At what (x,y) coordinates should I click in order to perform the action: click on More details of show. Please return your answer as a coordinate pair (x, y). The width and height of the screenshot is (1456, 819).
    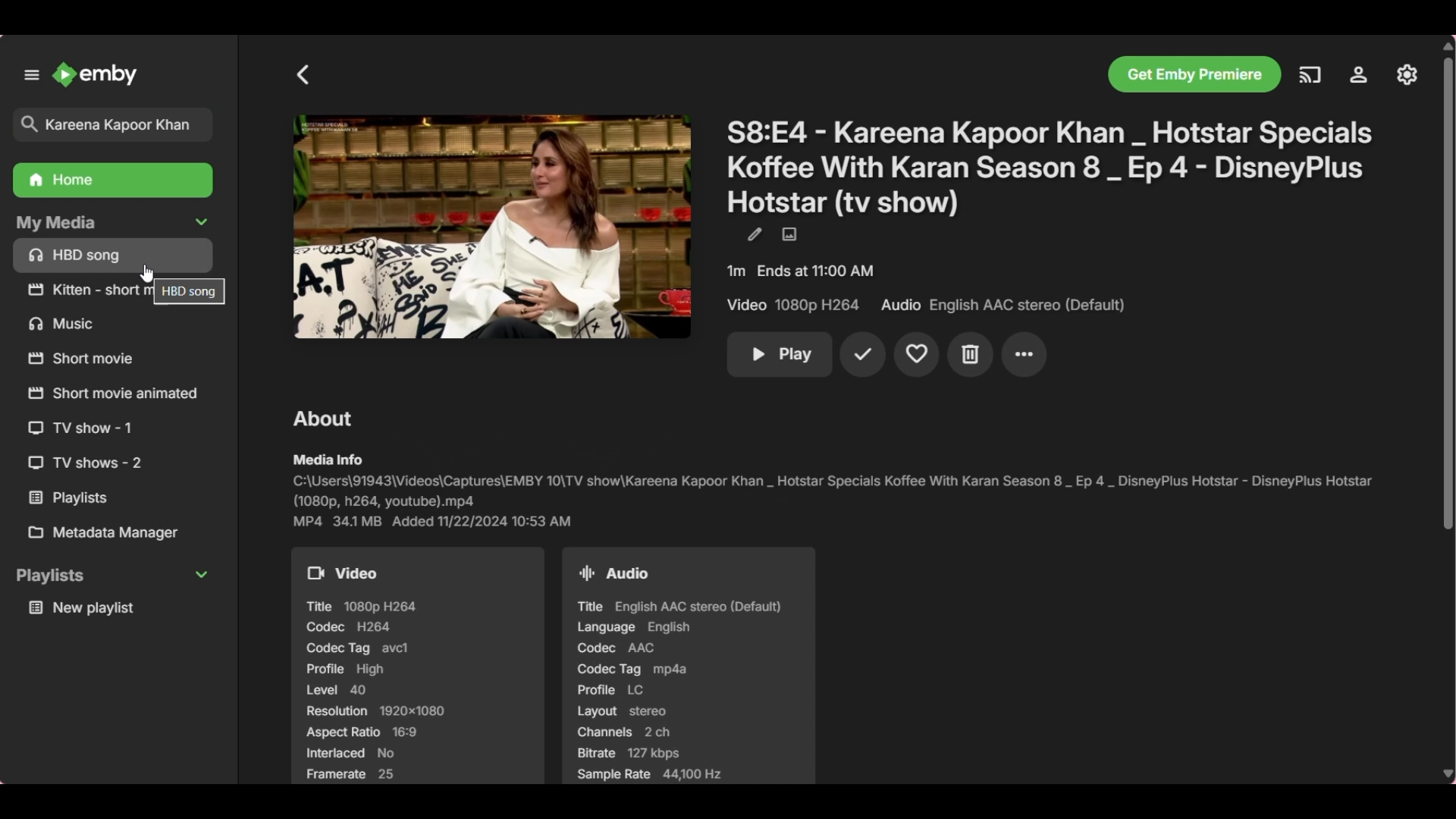
    Looking at the image, I should click on (438, 522).